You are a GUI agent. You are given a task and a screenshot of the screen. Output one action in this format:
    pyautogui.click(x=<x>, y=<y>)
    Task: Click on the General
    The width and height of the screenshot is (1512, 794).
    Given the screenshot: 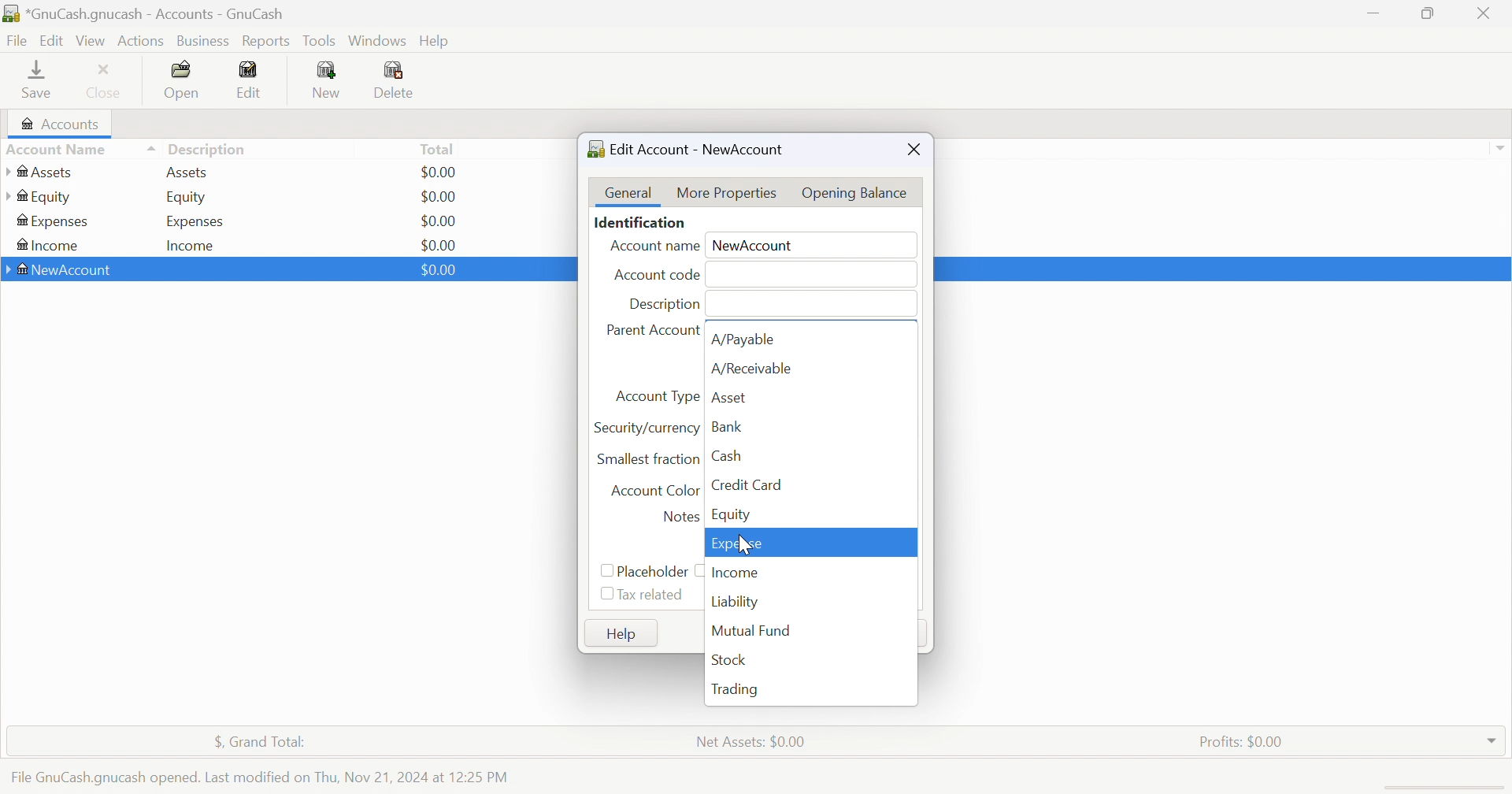 What is the action you would take?
    pyautogui.click(x=630, y=193)
    